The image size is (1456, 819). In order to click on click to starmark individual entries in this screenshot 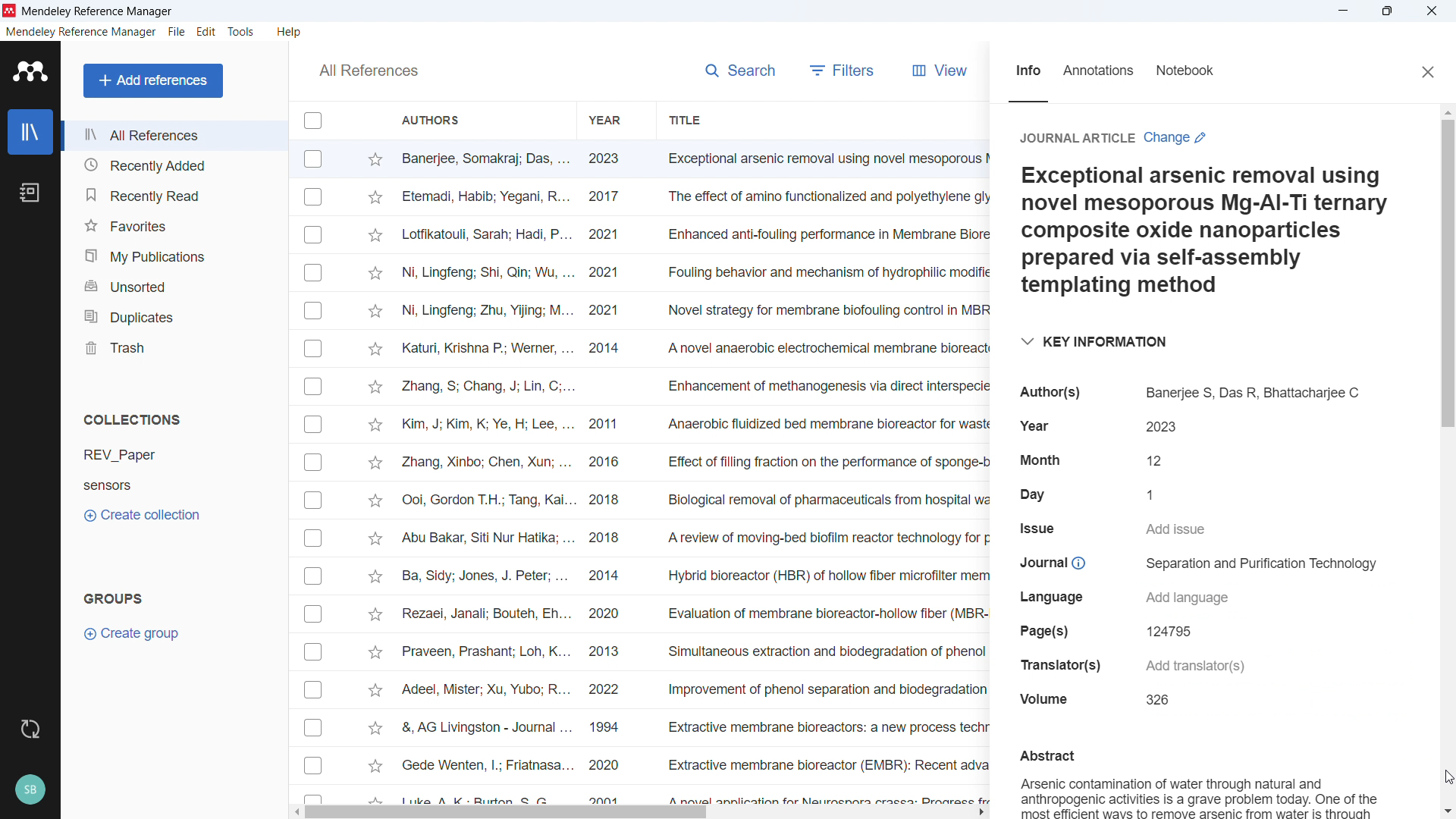, I will do `click(374, 769)`.